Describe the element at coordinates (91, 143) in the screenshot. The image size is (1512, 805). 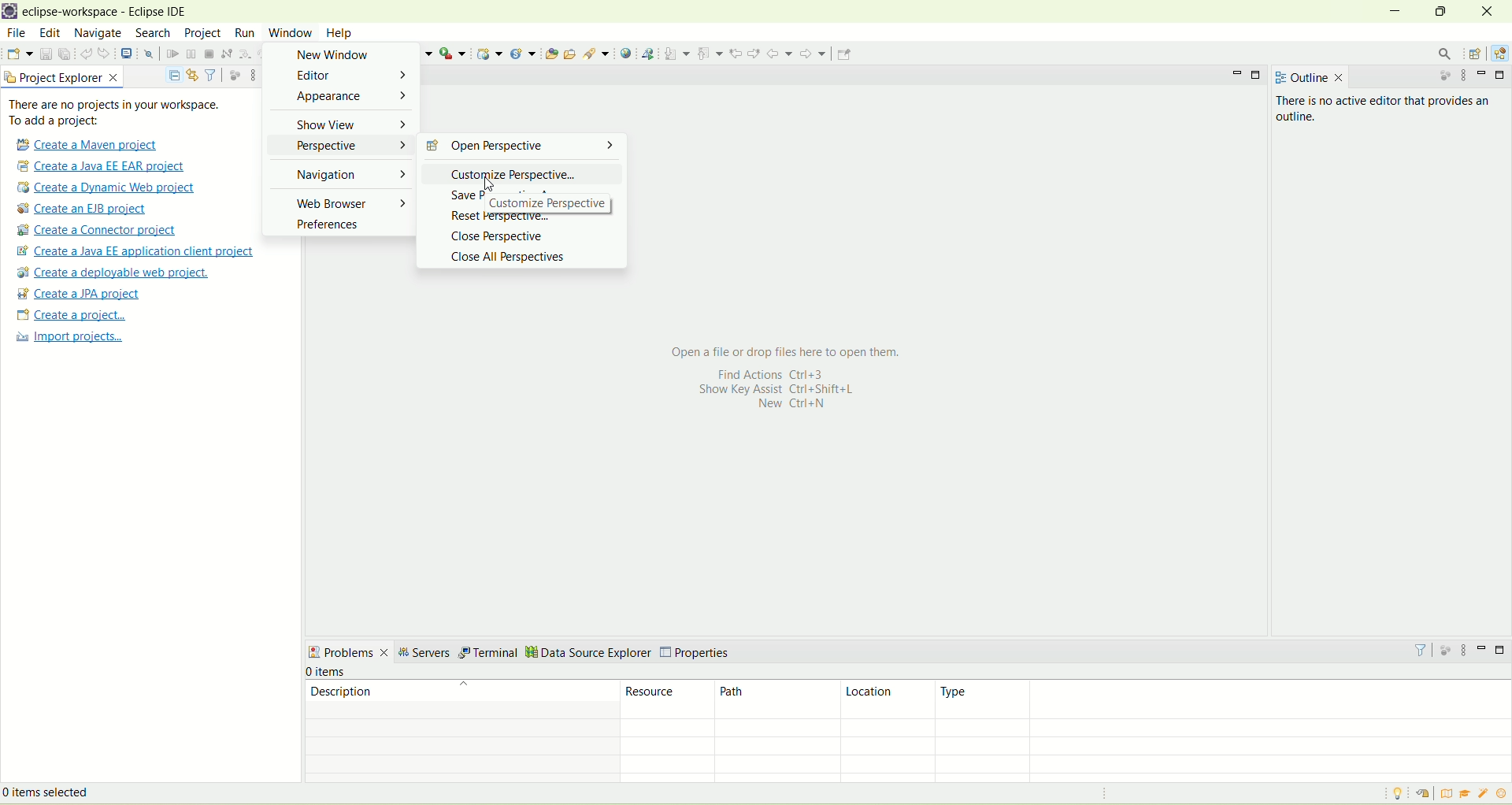
I see `create a Maven project` at that location.